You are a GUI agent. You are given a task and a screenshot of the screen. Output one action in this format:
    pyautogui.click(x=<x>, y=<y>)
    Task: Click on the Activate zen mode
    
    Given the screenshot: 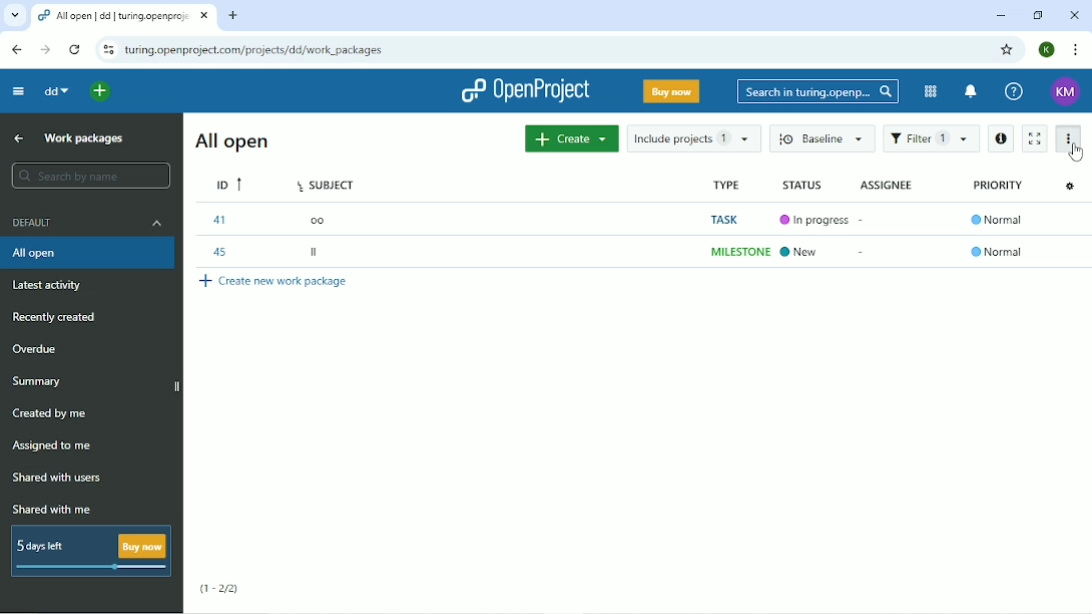 What is the action you would take?
    pyautogui.click(x=1035, y=138)
    